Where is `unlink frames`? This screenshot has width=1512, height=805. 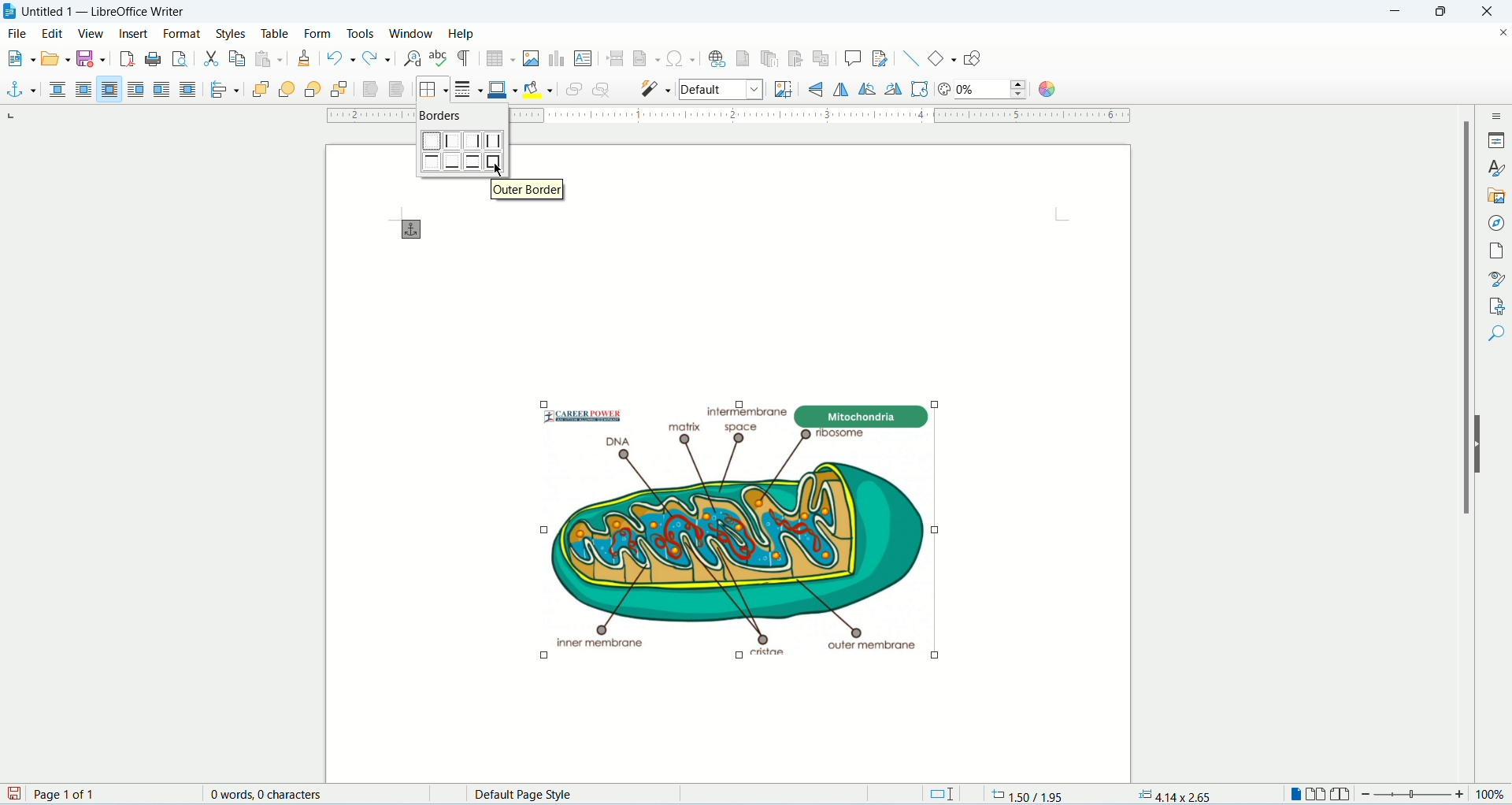
unlink frames is located at coordinates (602, 90).